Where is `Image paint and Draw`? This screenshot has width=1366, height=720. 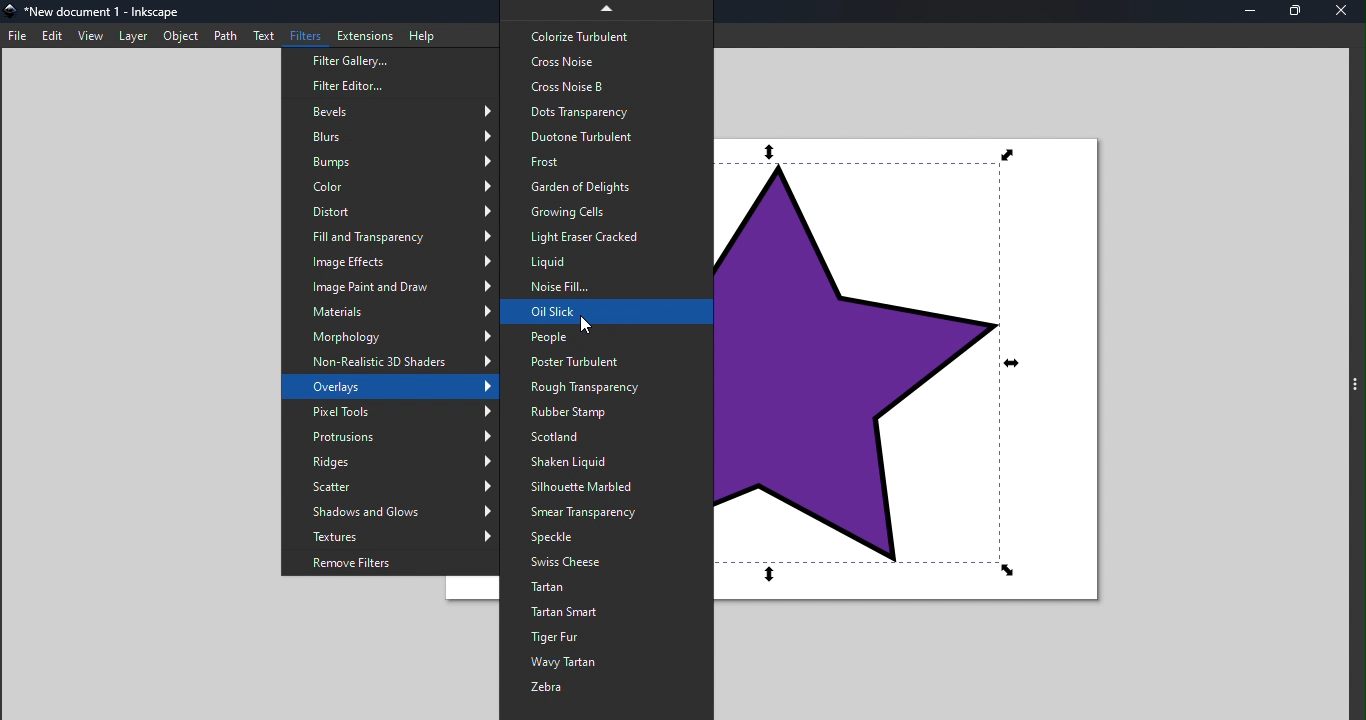
Image paint and Draw is located at coordinates (390, 289).